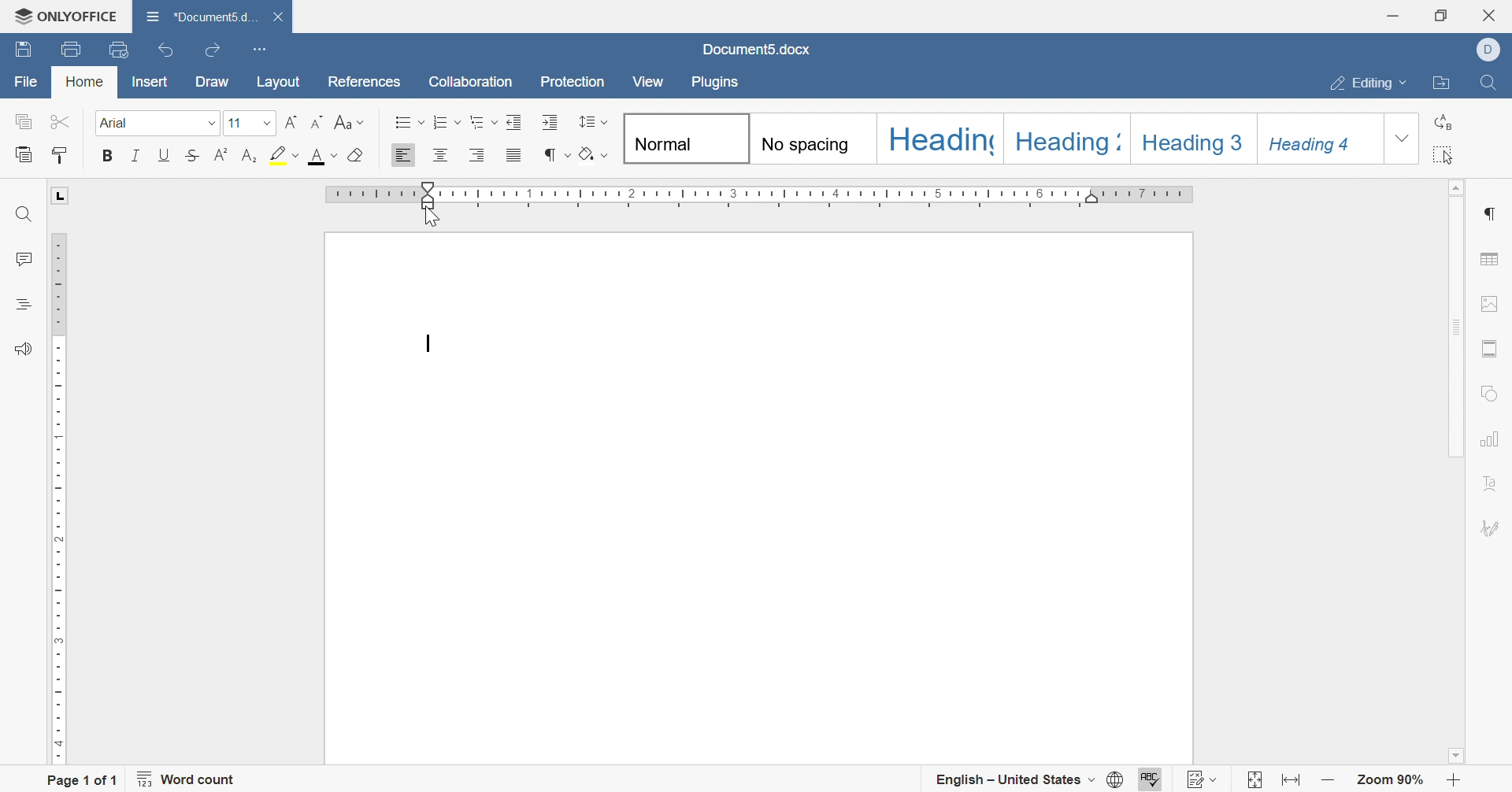  Describe the element at coordinates (1492, 527) in the screenshot. I see `signature settings` at that location.